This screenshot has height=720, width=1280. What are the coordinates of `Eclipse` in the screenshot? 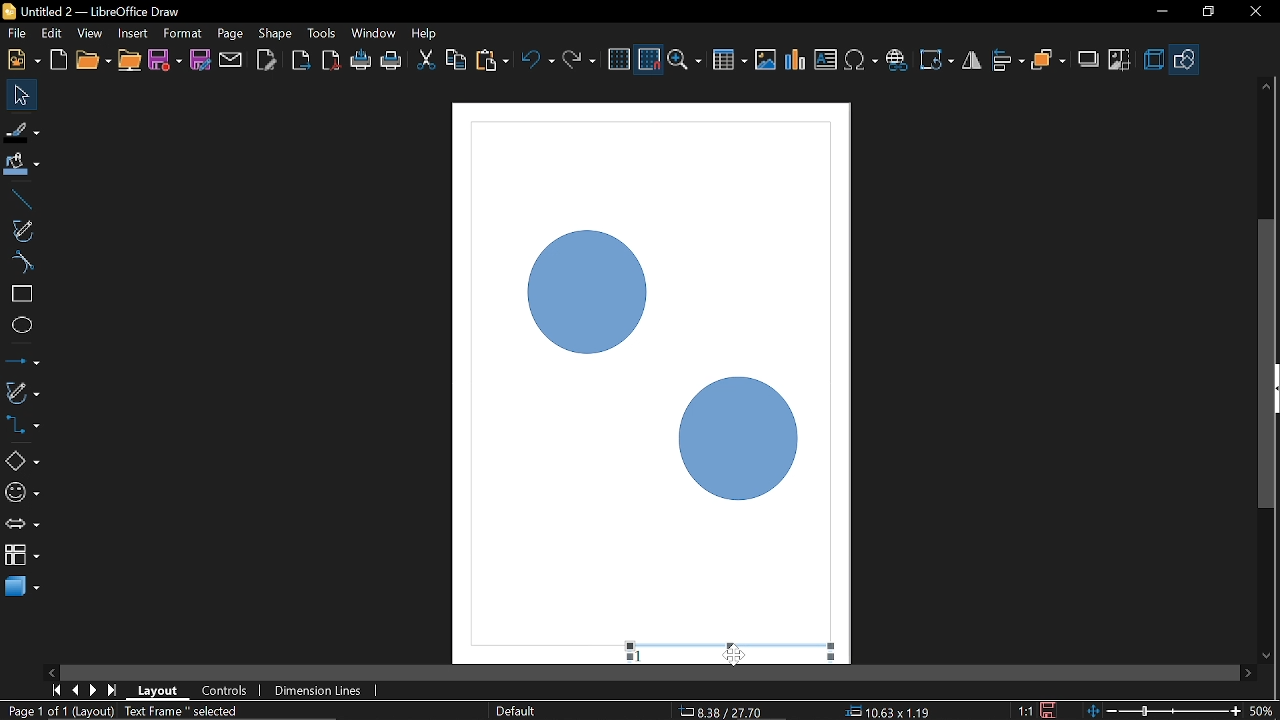 It's located at (22, 326).